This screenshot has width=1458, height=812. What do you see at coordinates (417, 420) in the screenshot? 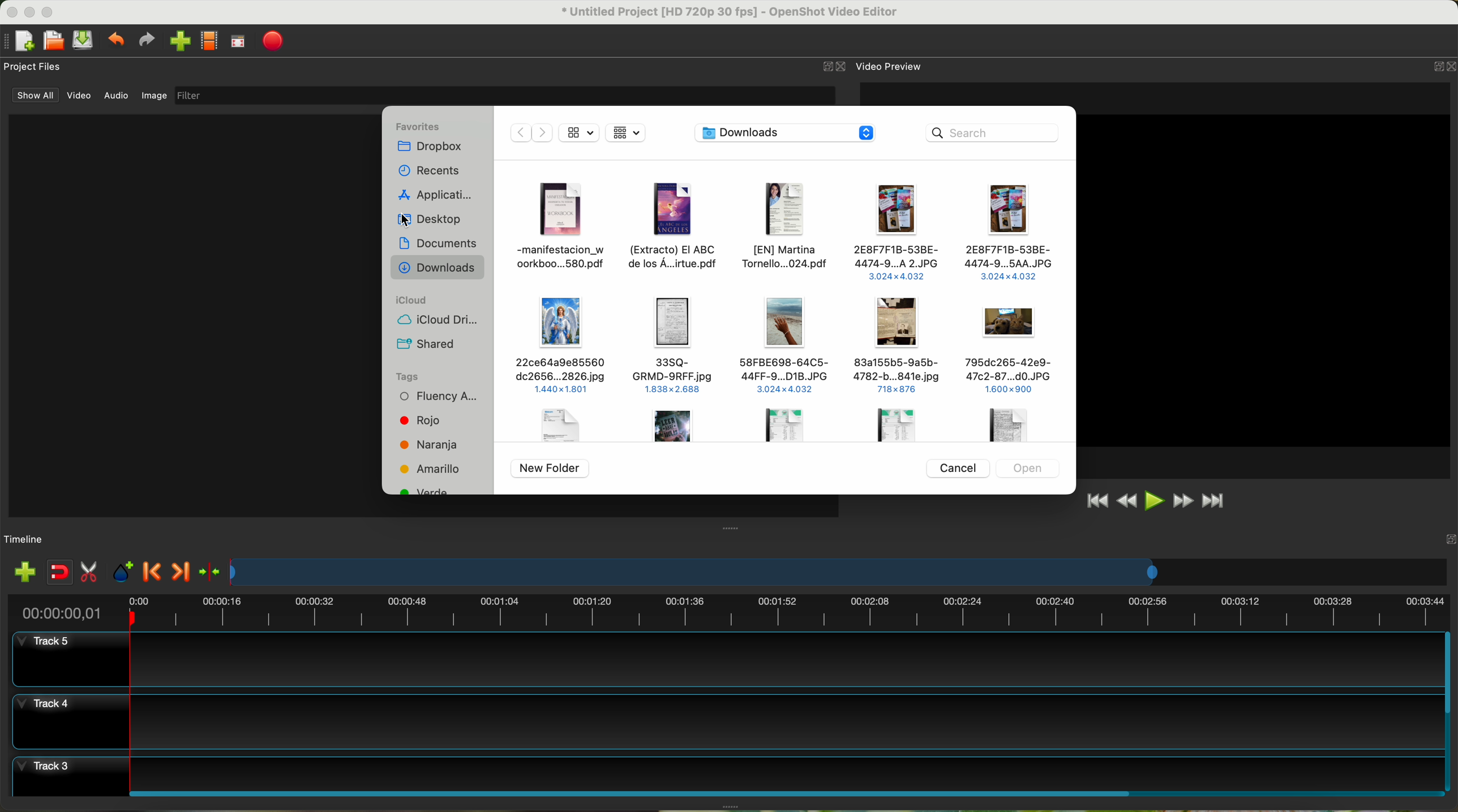
I see `red tag` at bounding box center [417, 420].